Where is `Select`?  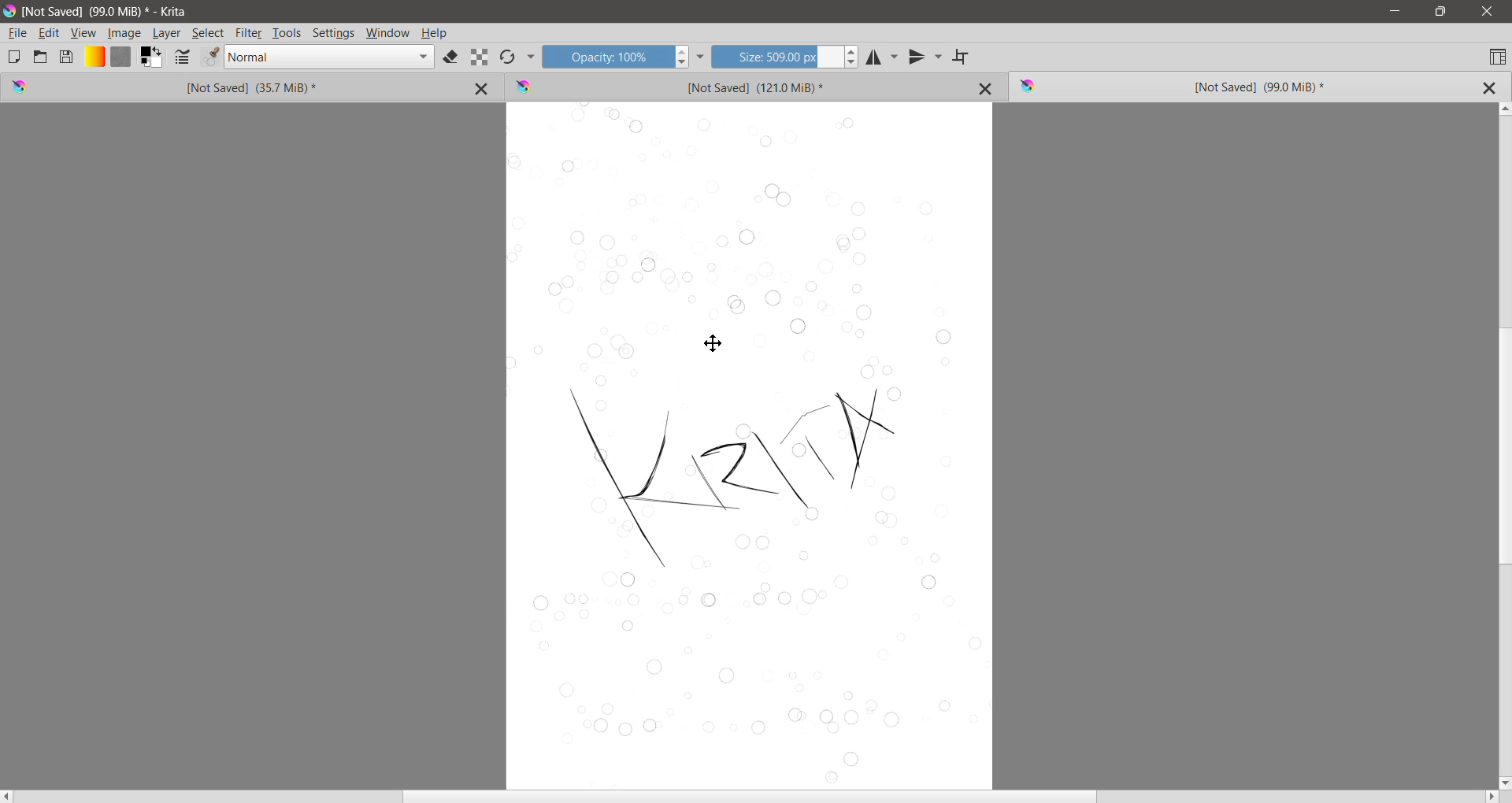 Select is located at coordinates (209, 33).